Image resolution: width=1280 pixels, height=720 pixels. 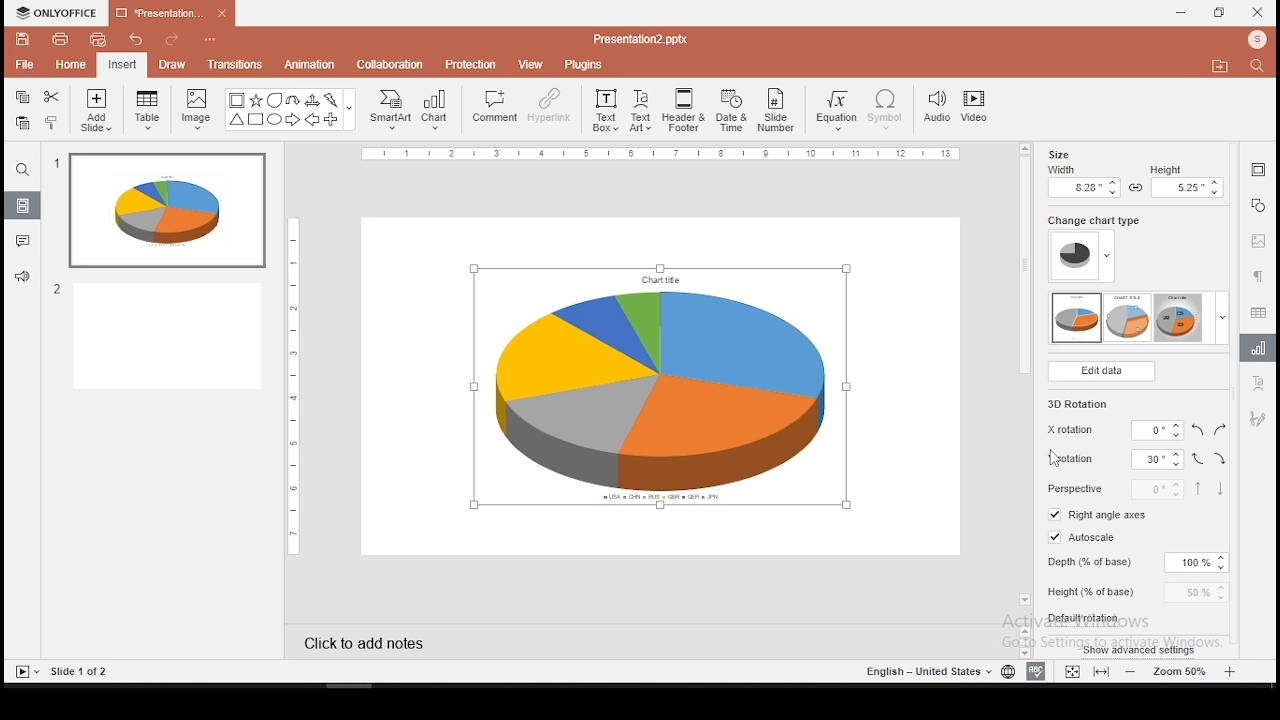 I want to click on scroll bar, so click(x=1025, y=380).